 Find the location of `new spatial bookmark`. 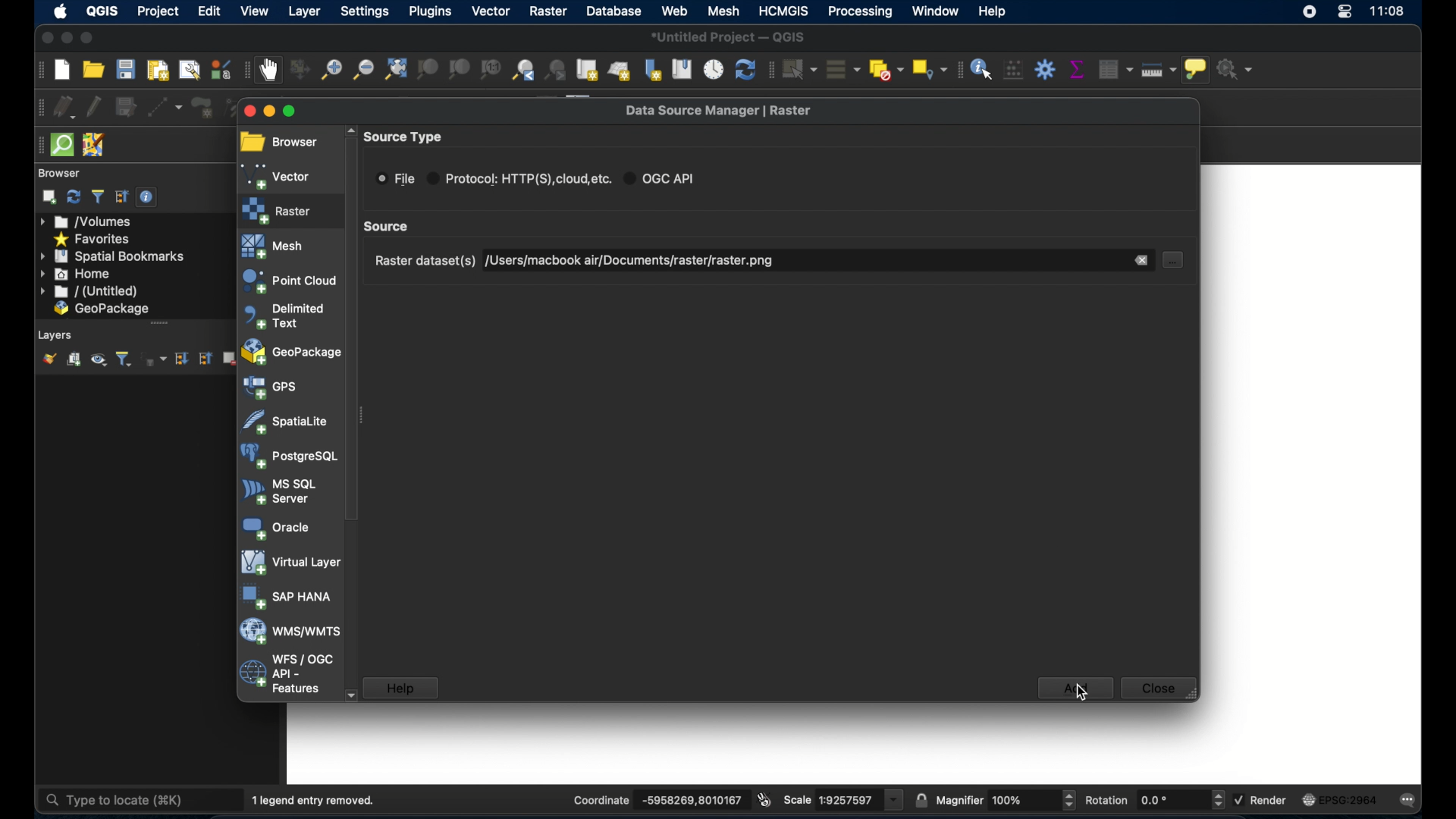

new spatial bookmark is located at coordinates (654, 69).